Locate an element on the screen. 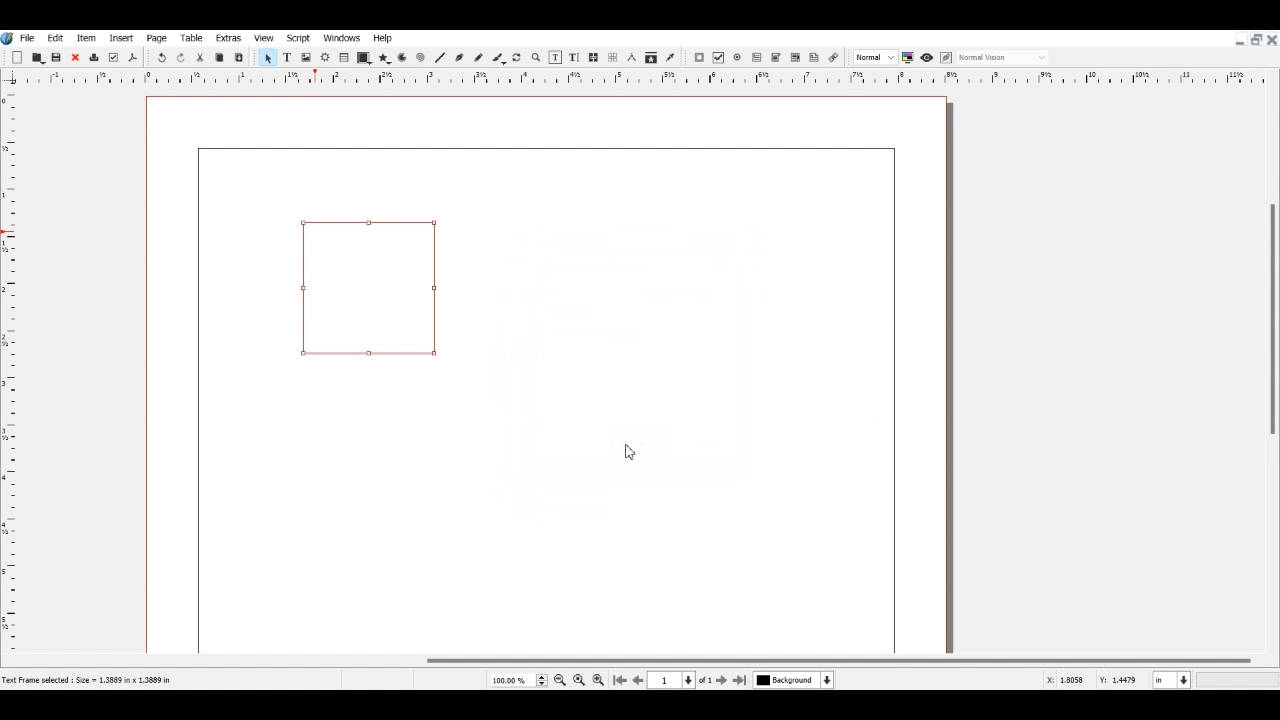 The width and height of the screenshot is (1280, 720). Select the visual appearance on display is located at coordinates (1004, 56).